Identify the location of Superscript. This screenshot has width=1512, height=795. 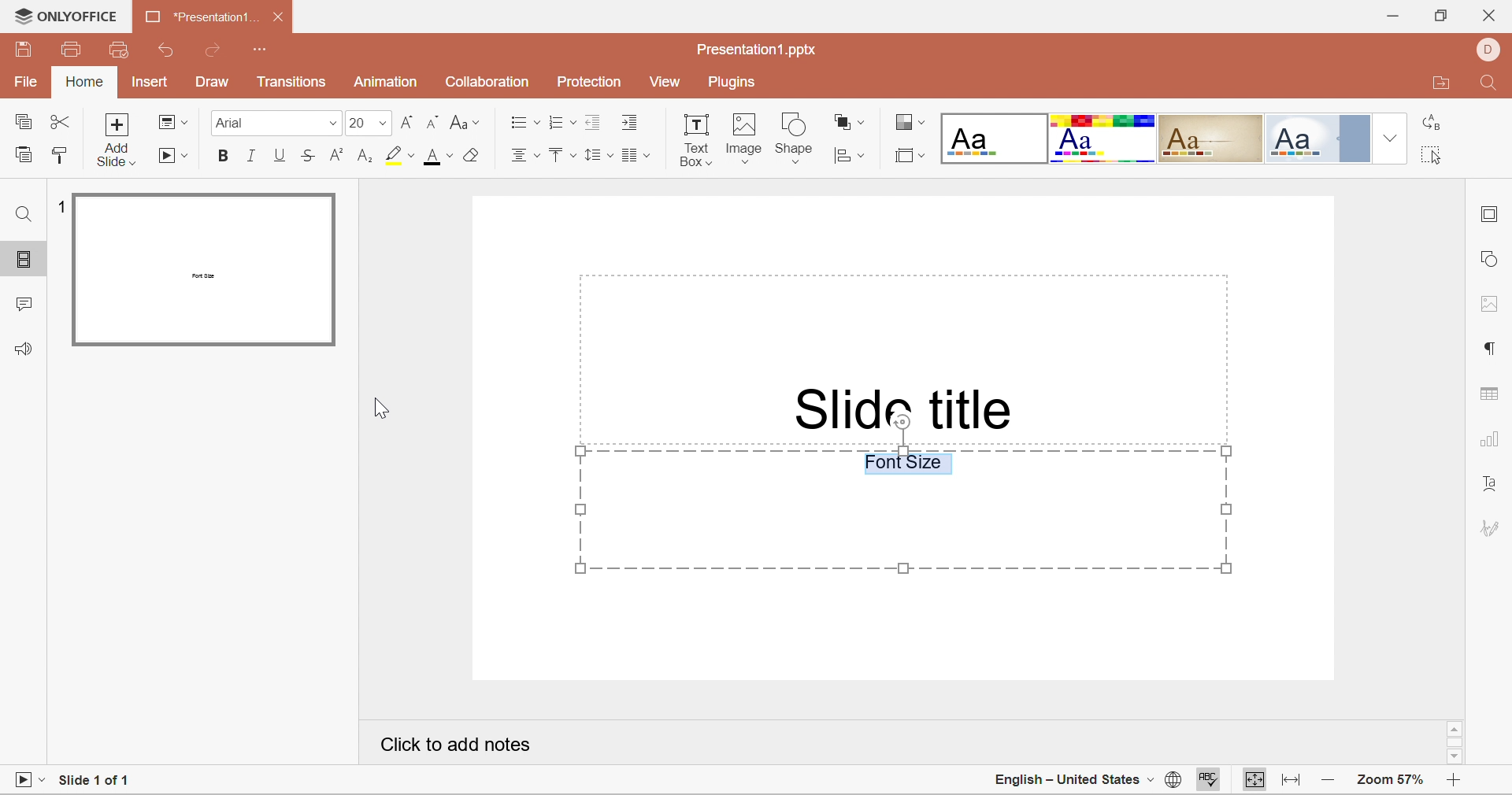
(334, 156).